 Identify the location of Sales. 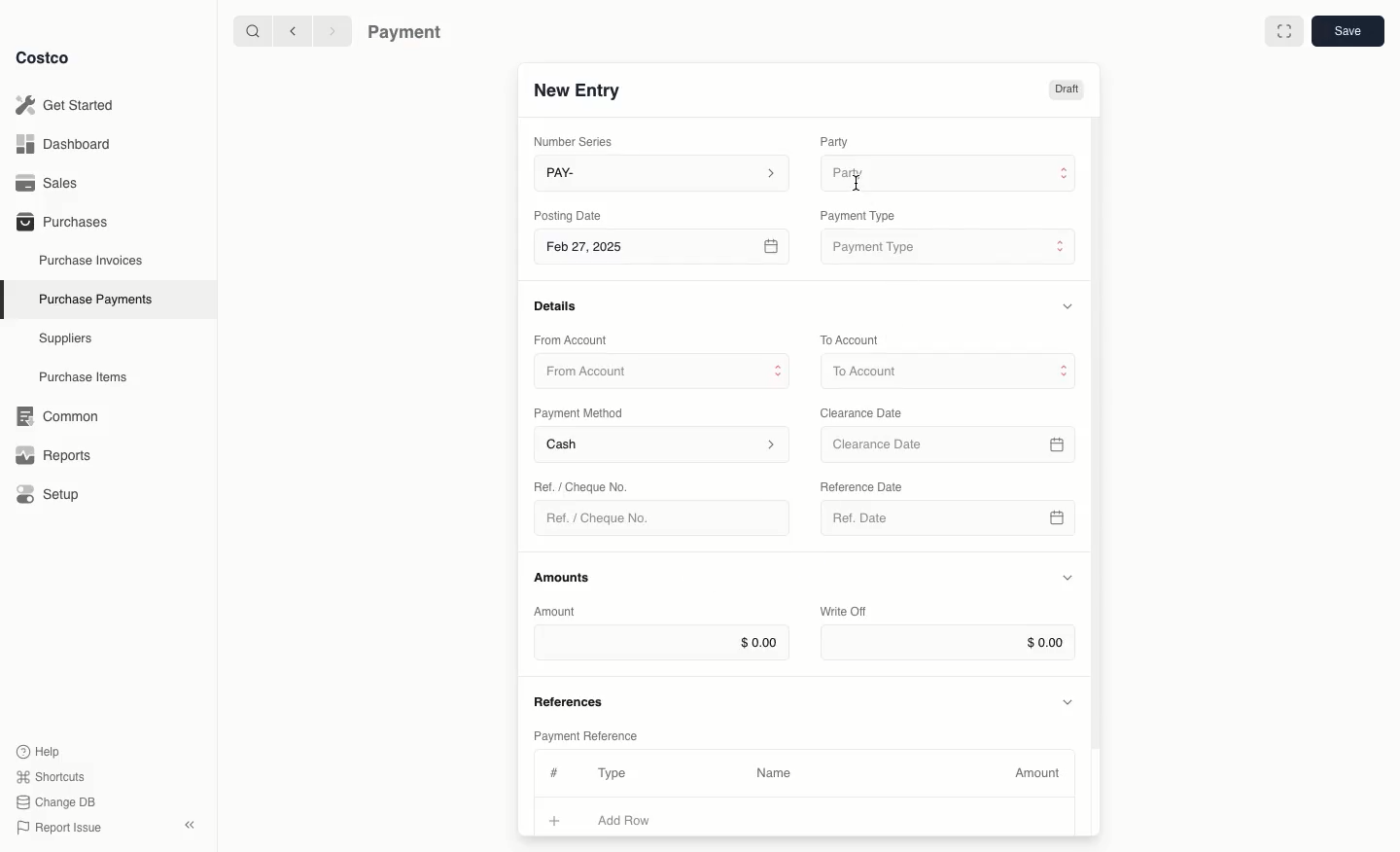
(53, 183).